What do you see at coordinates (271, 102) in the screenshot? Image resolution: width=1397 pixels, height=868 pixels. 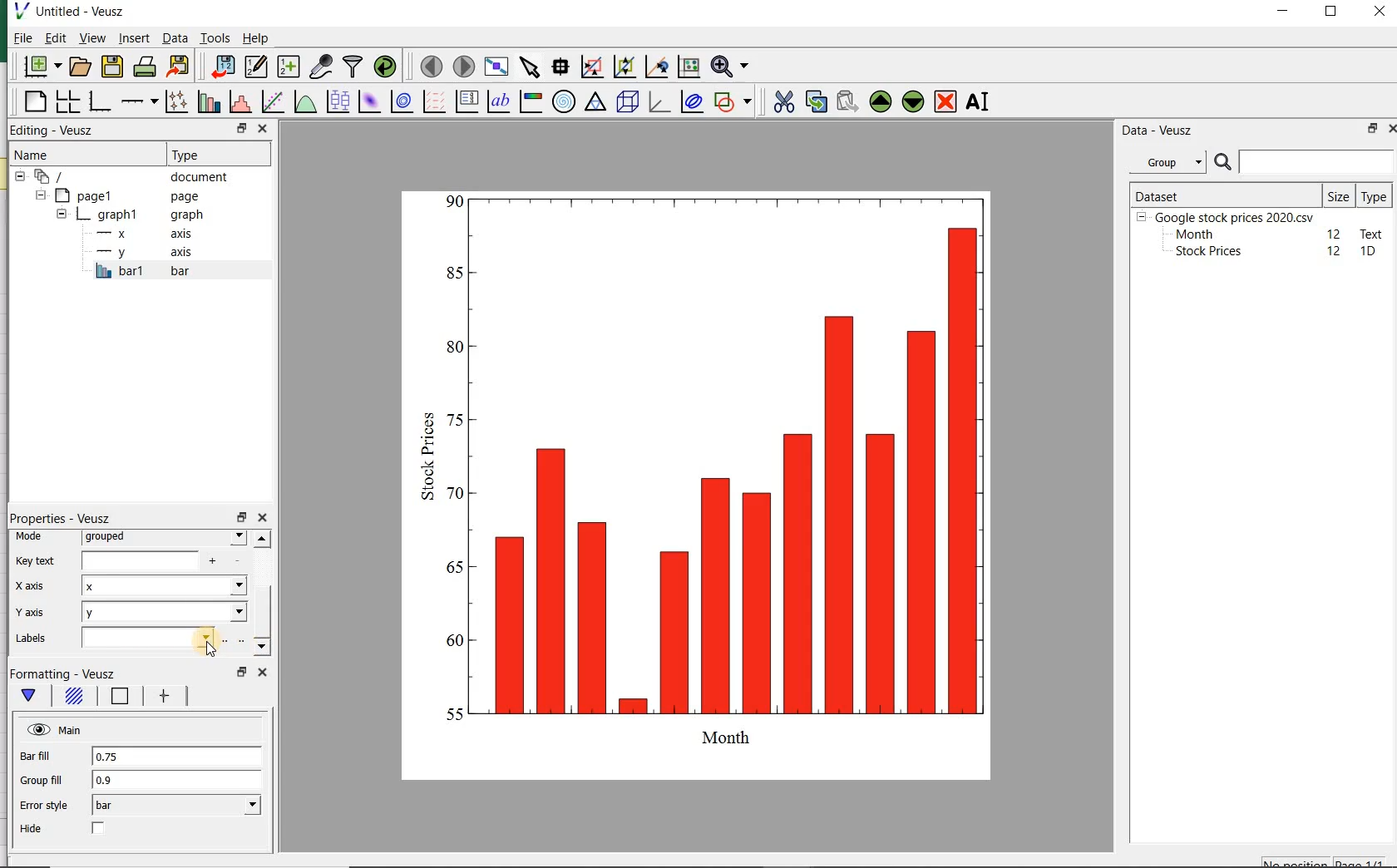 I see `fit a function to data` at bounding box center [271, 102].